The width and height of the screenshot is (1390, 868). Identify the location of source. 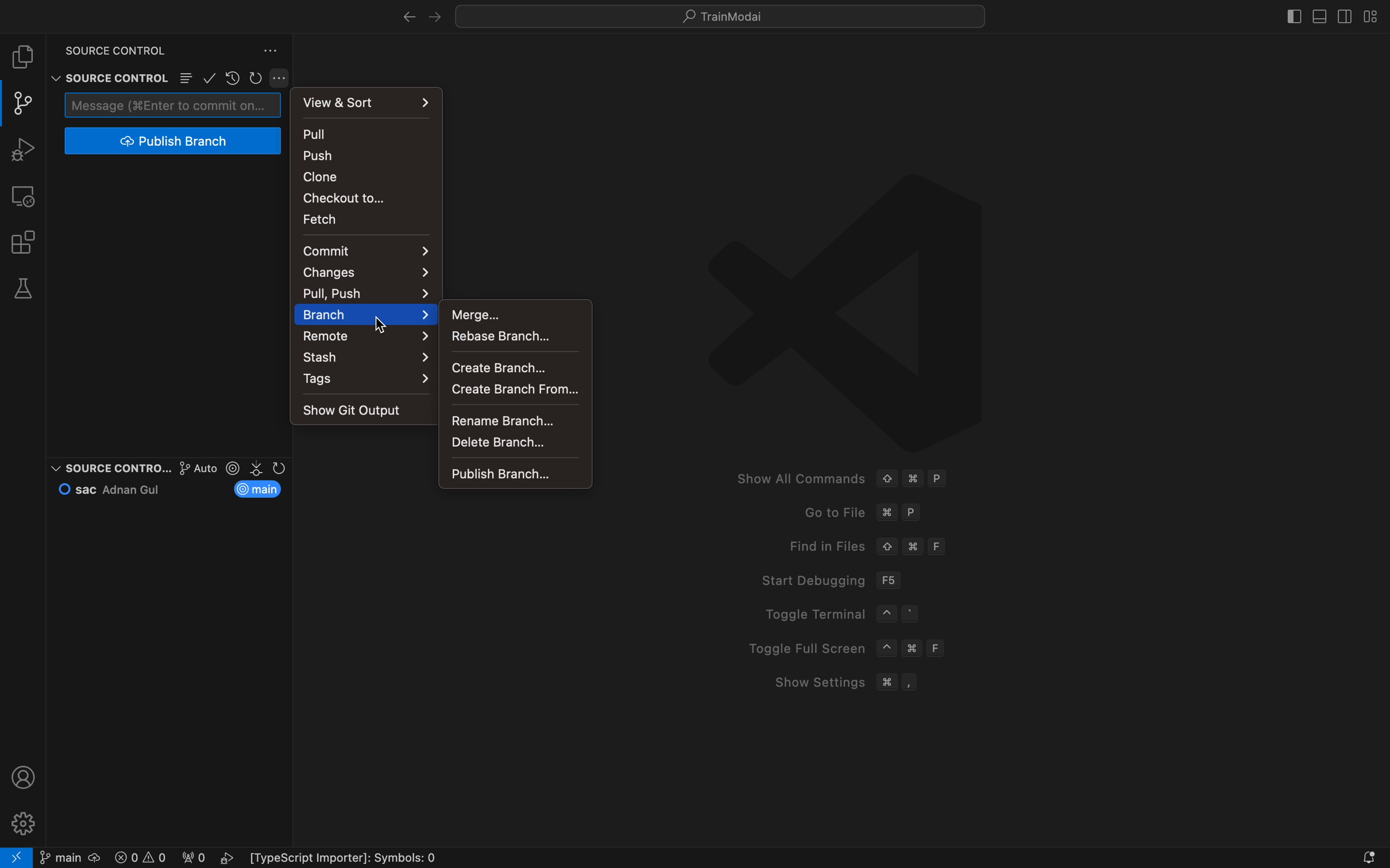
(106, 77).